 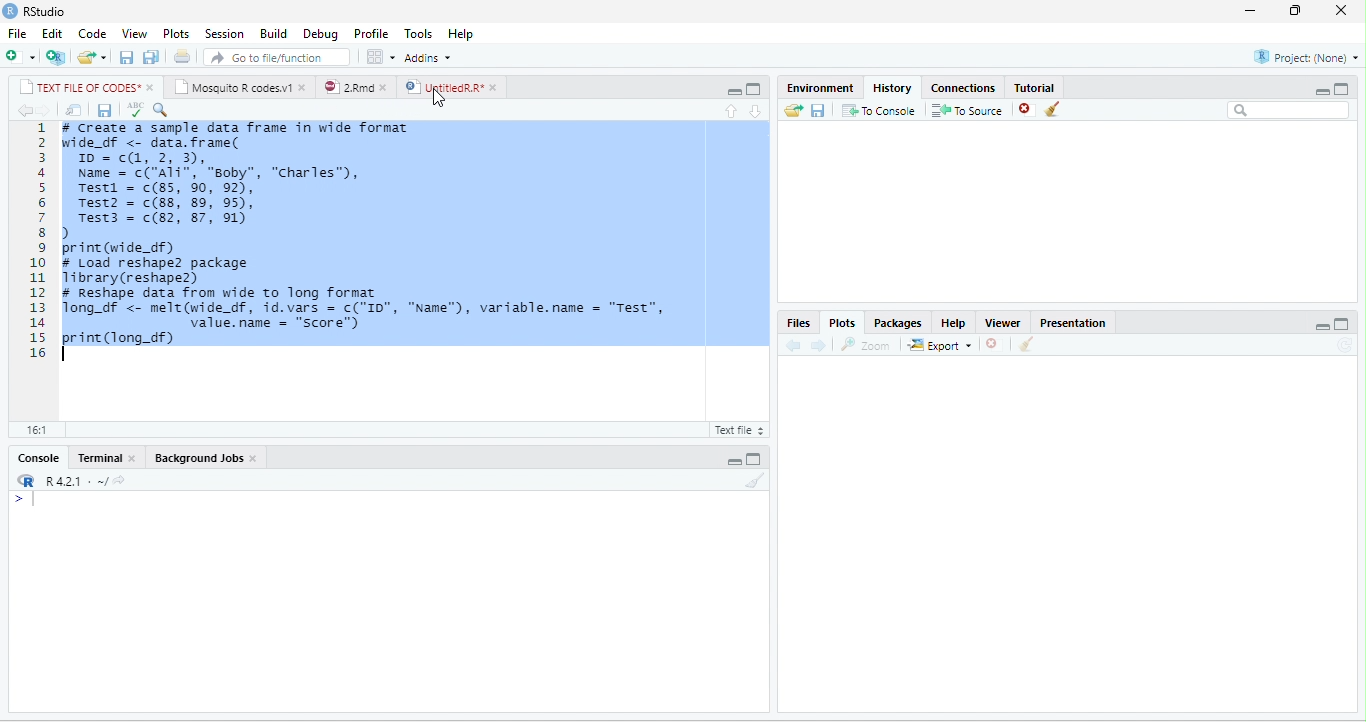 I want to click on To Source, so click(x=968, y=109).